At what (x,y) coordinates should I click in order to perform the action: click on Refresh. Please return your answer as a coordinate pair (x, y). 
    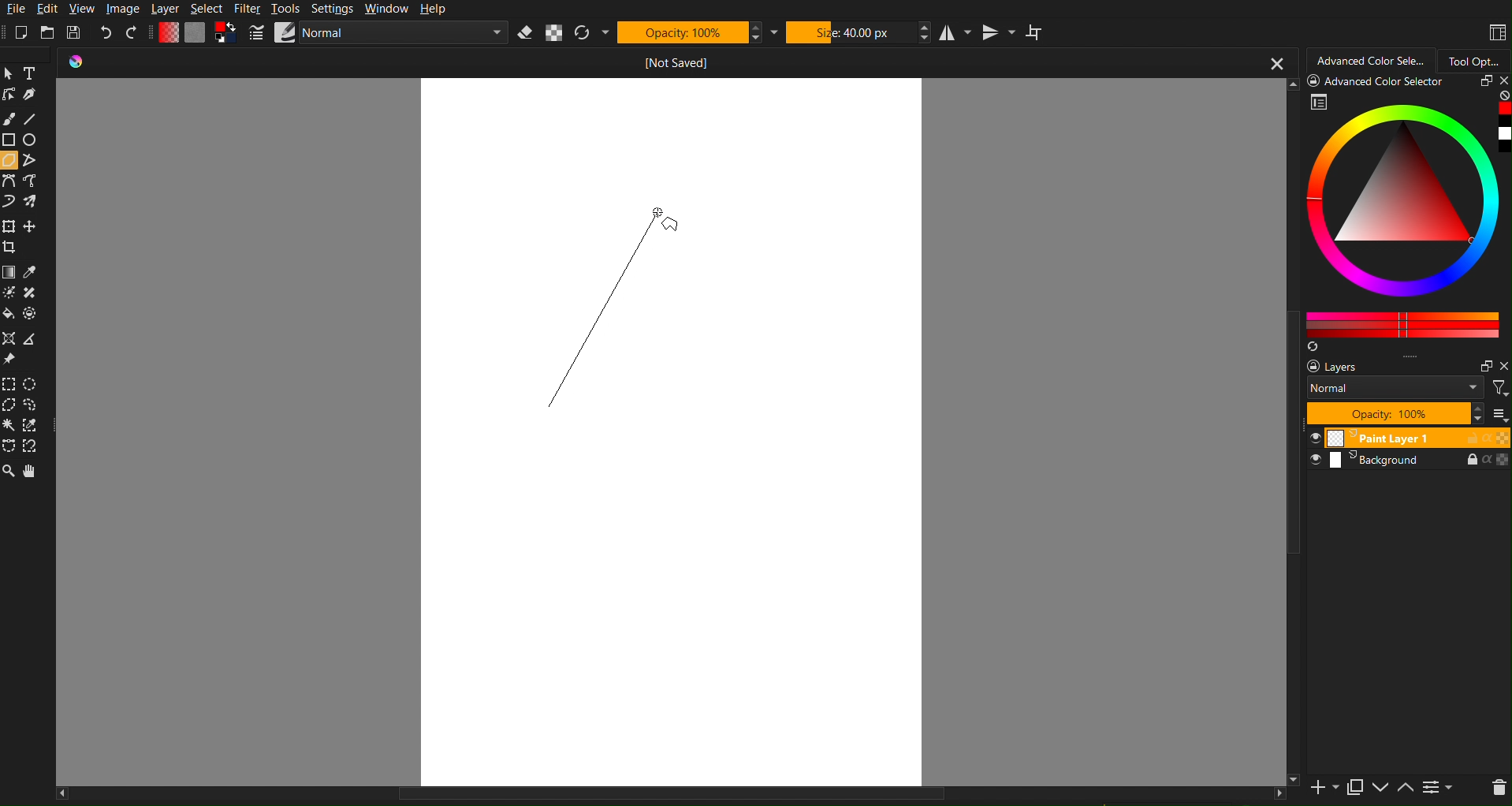
    Looking at the image, I should click on (583, 33).